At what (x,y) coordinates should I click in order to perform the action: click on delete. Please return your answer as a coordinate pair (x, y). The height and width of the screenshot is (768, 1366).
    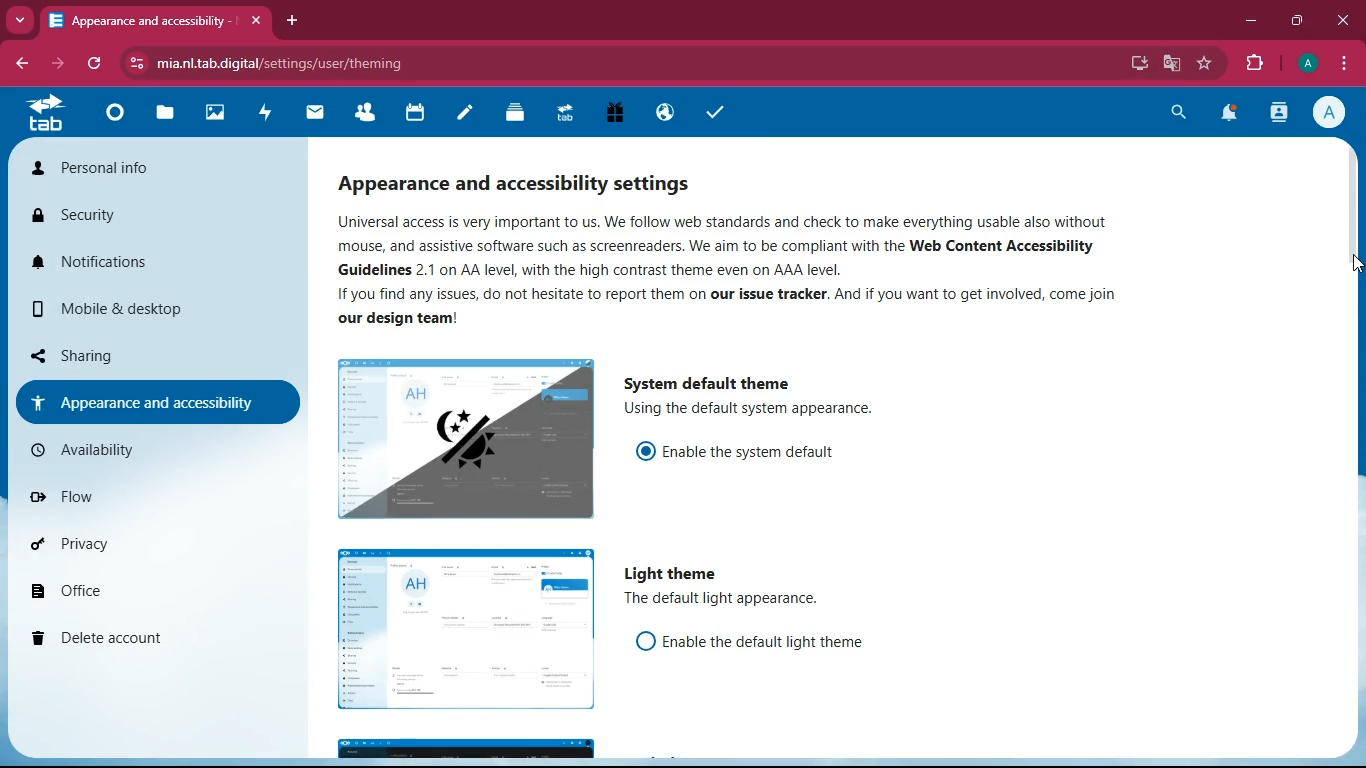
    Looking at the image, I should click on (145, 640).